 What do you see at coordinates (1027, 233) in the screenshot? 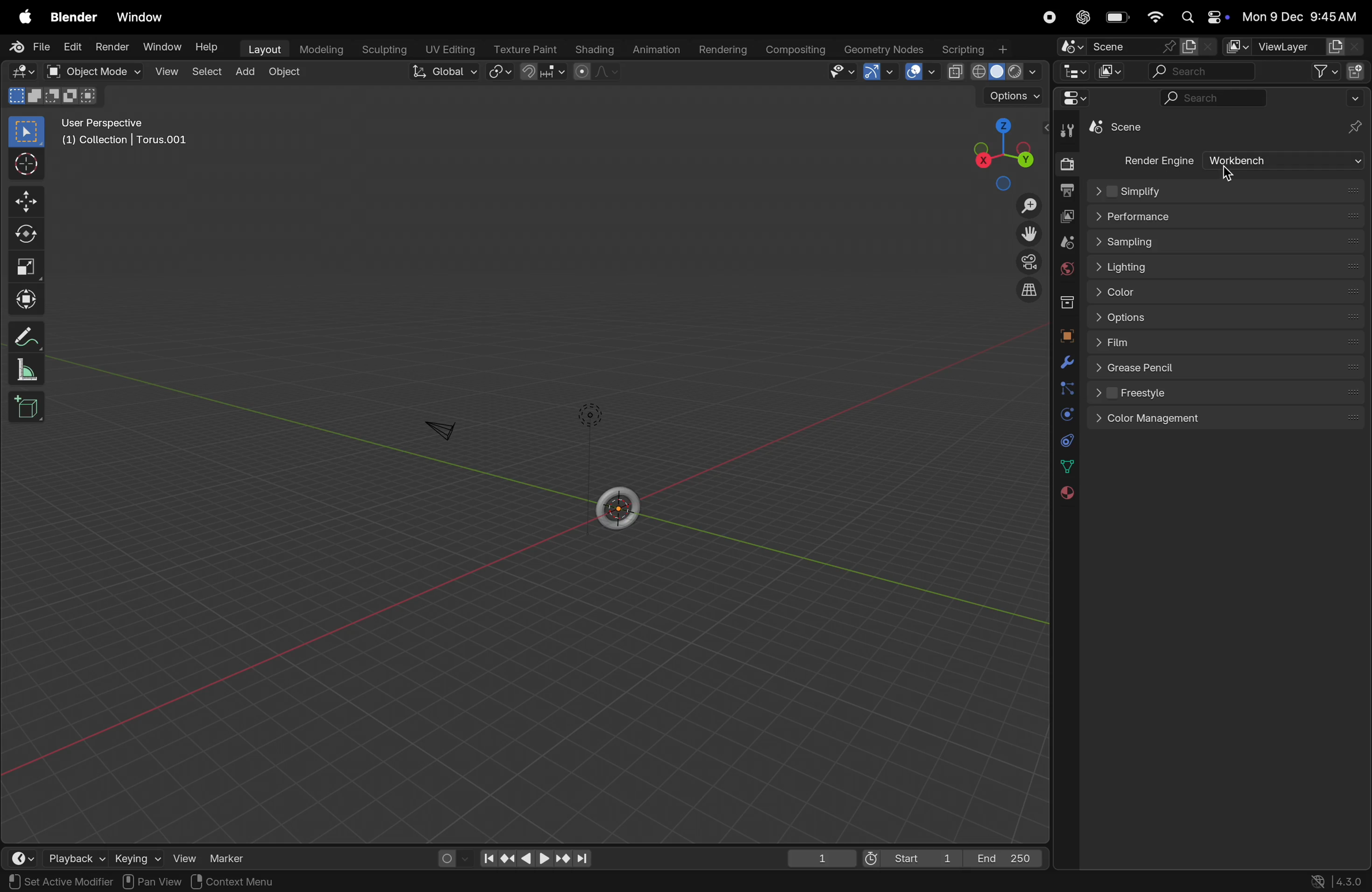
I see `Toggle view` at bounding box center [1027, 233].